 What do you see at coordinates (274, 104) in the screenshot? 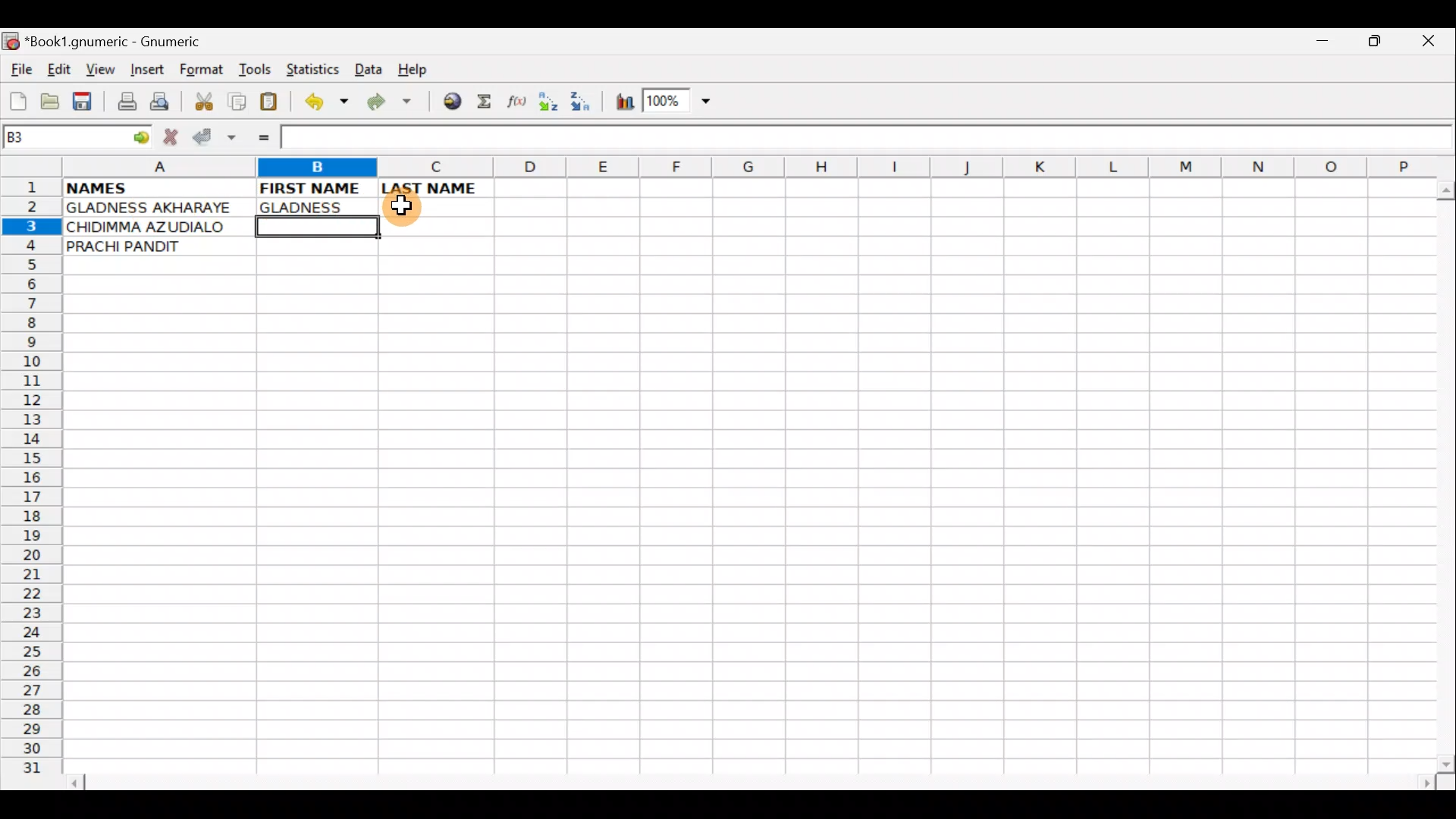
I see `Paste clipboard` at bounding box center [274, 104].